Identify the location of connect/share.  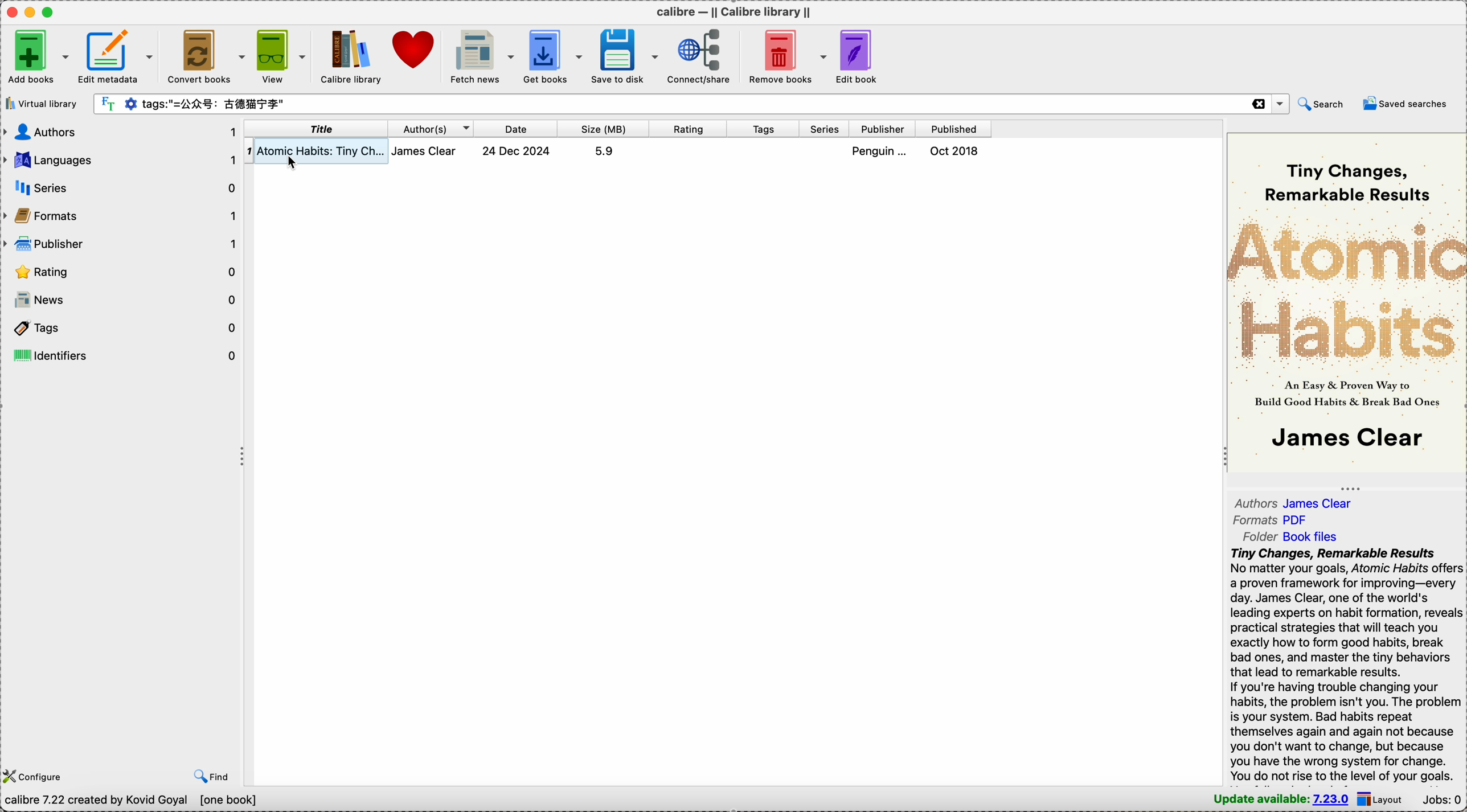
(699, 57).